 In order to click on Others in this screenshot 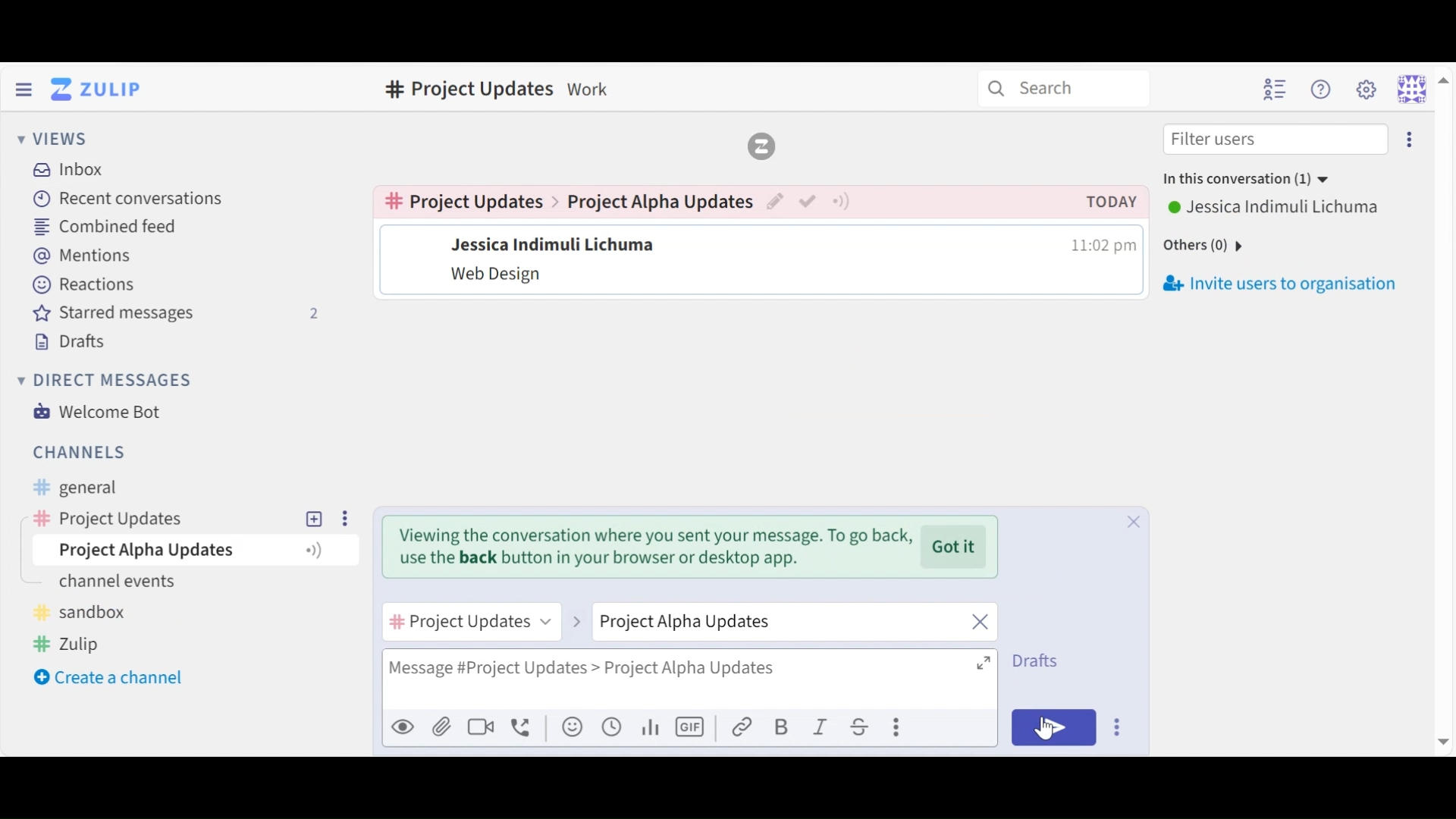, I will do `click(1209, 245)`.